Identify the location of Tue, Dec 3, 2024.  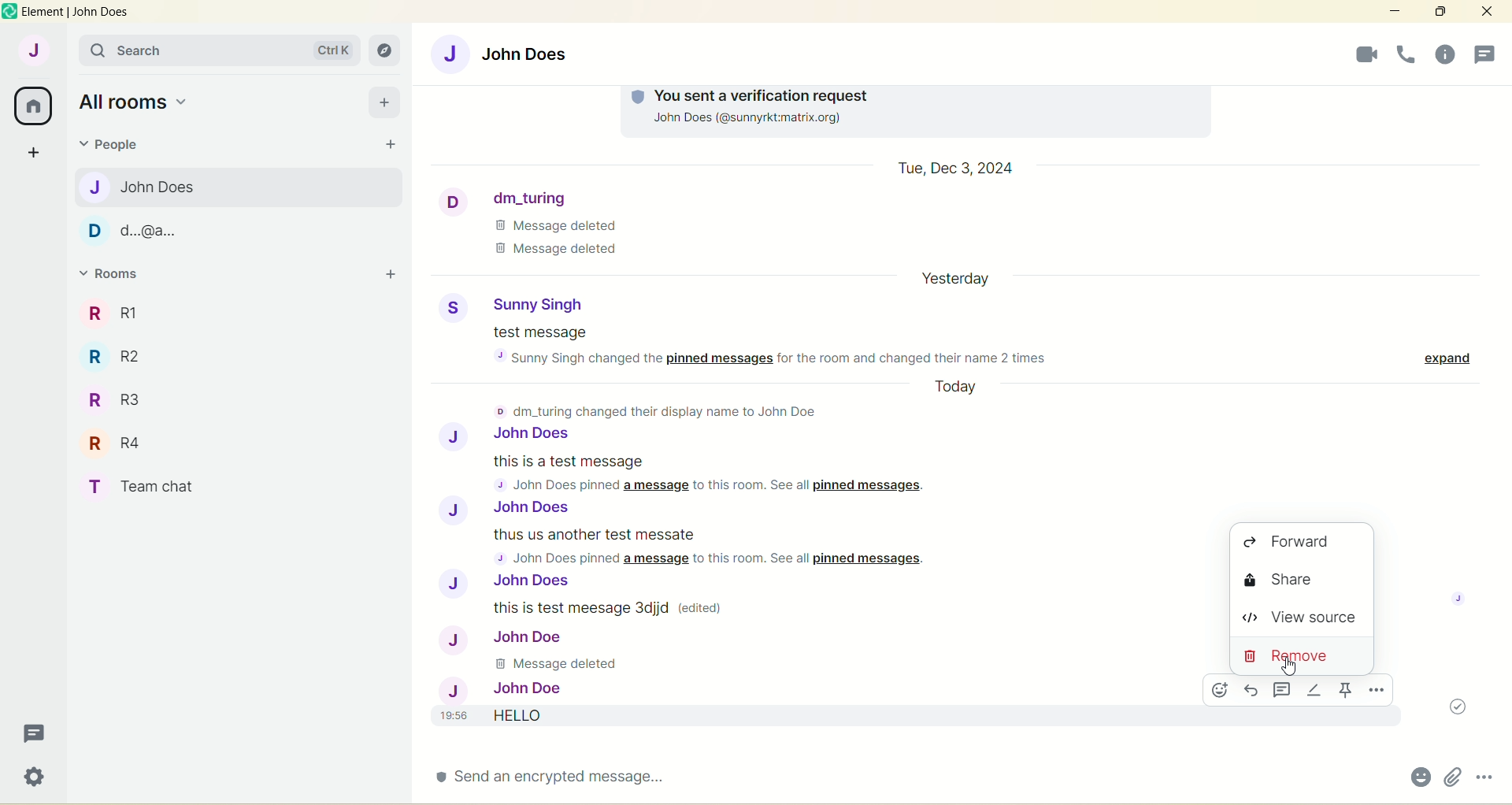
(957, 169).